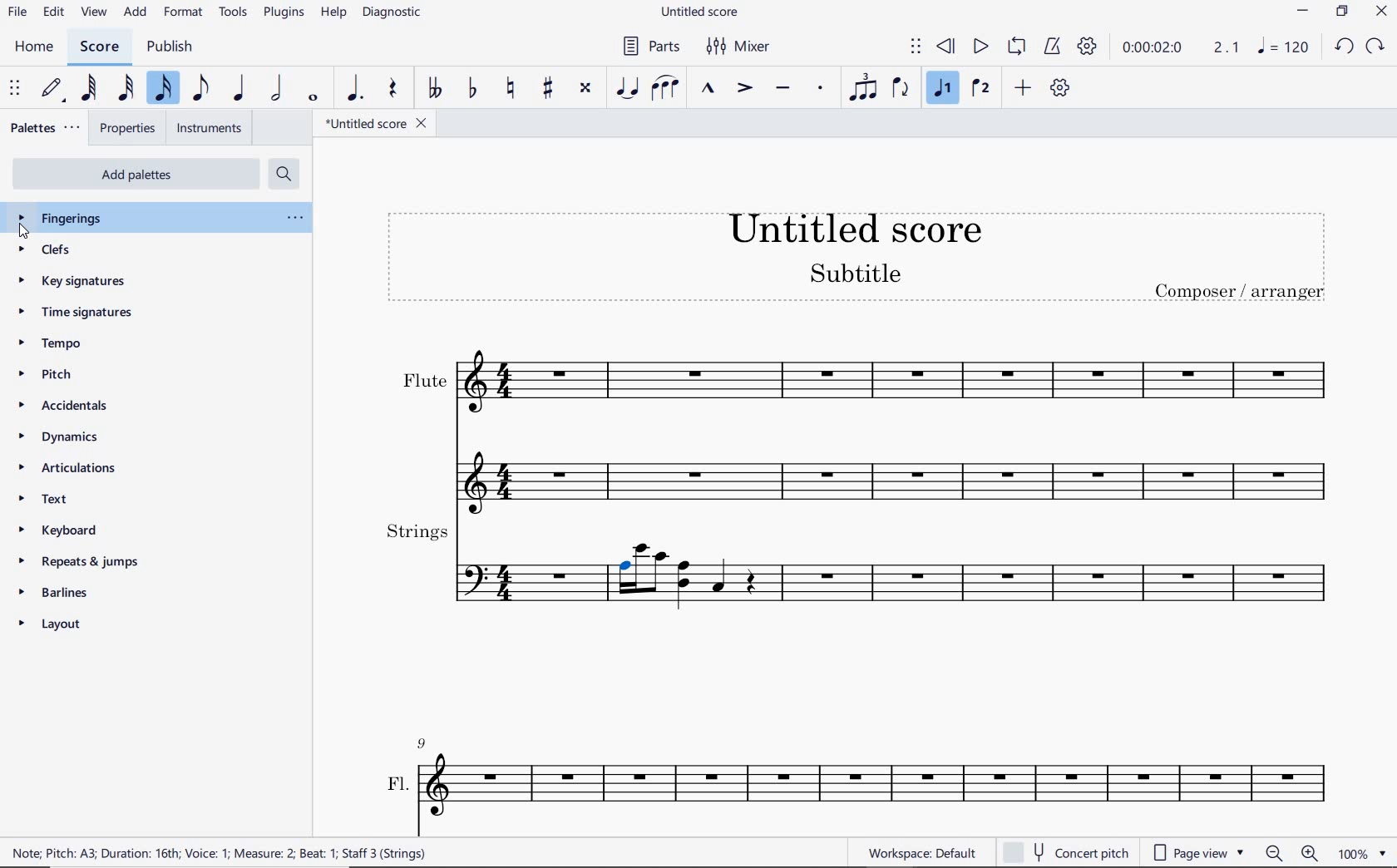 Image resolution: width=1397 pixels, height=868 pixels. I want to click on voice 1, so click(943, 89).